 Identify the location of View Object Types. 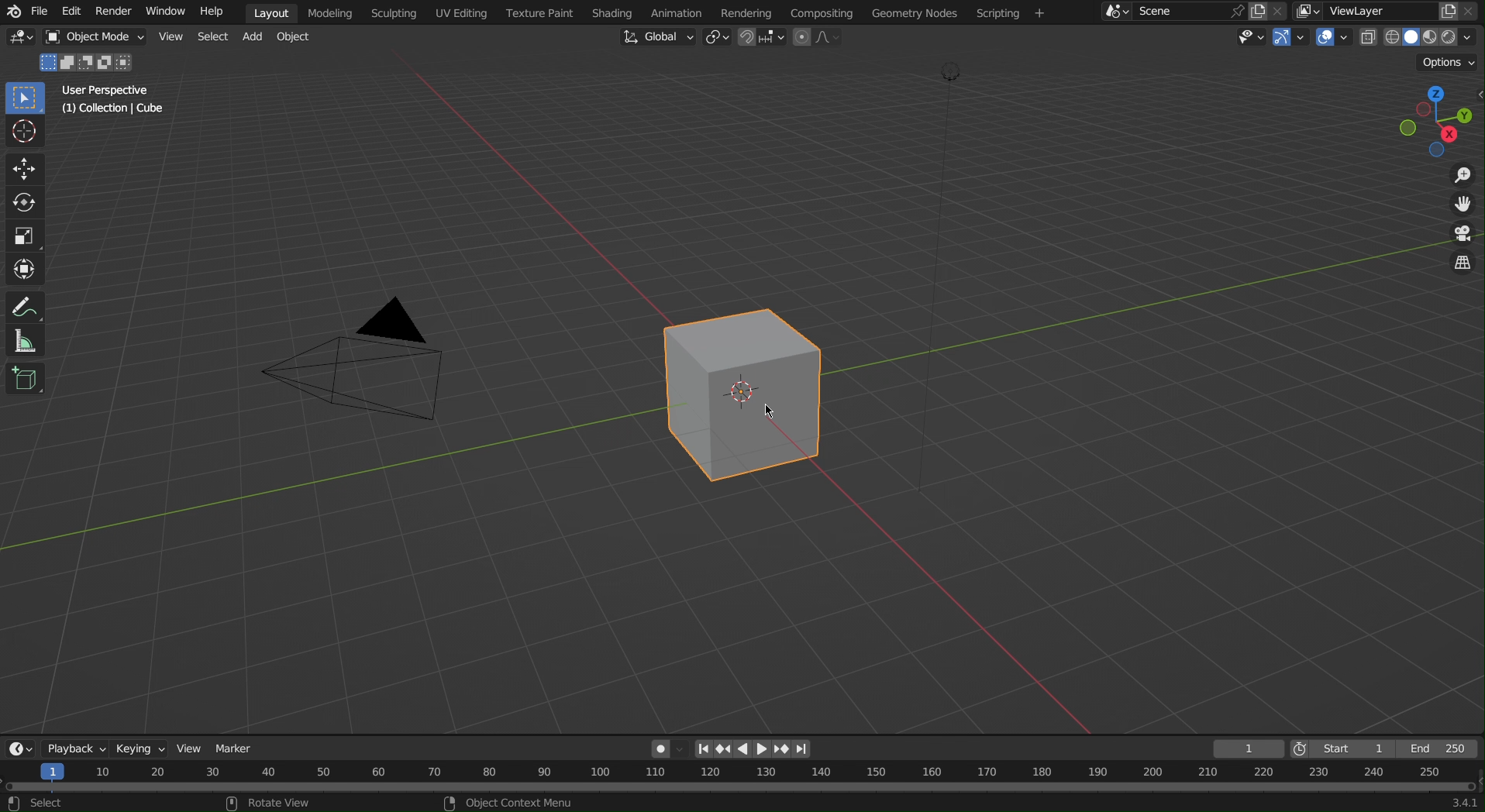
(1253, 38).